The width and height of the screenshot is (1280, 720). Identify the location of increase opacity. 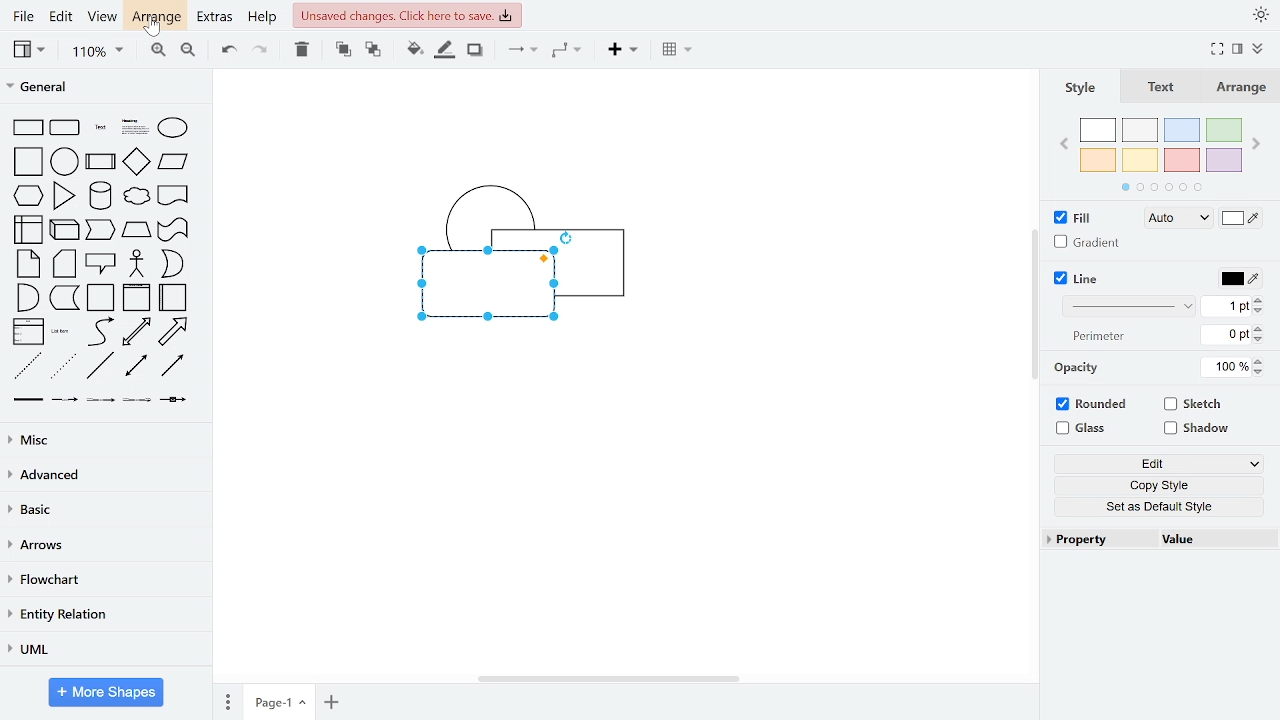
(1259, 361).